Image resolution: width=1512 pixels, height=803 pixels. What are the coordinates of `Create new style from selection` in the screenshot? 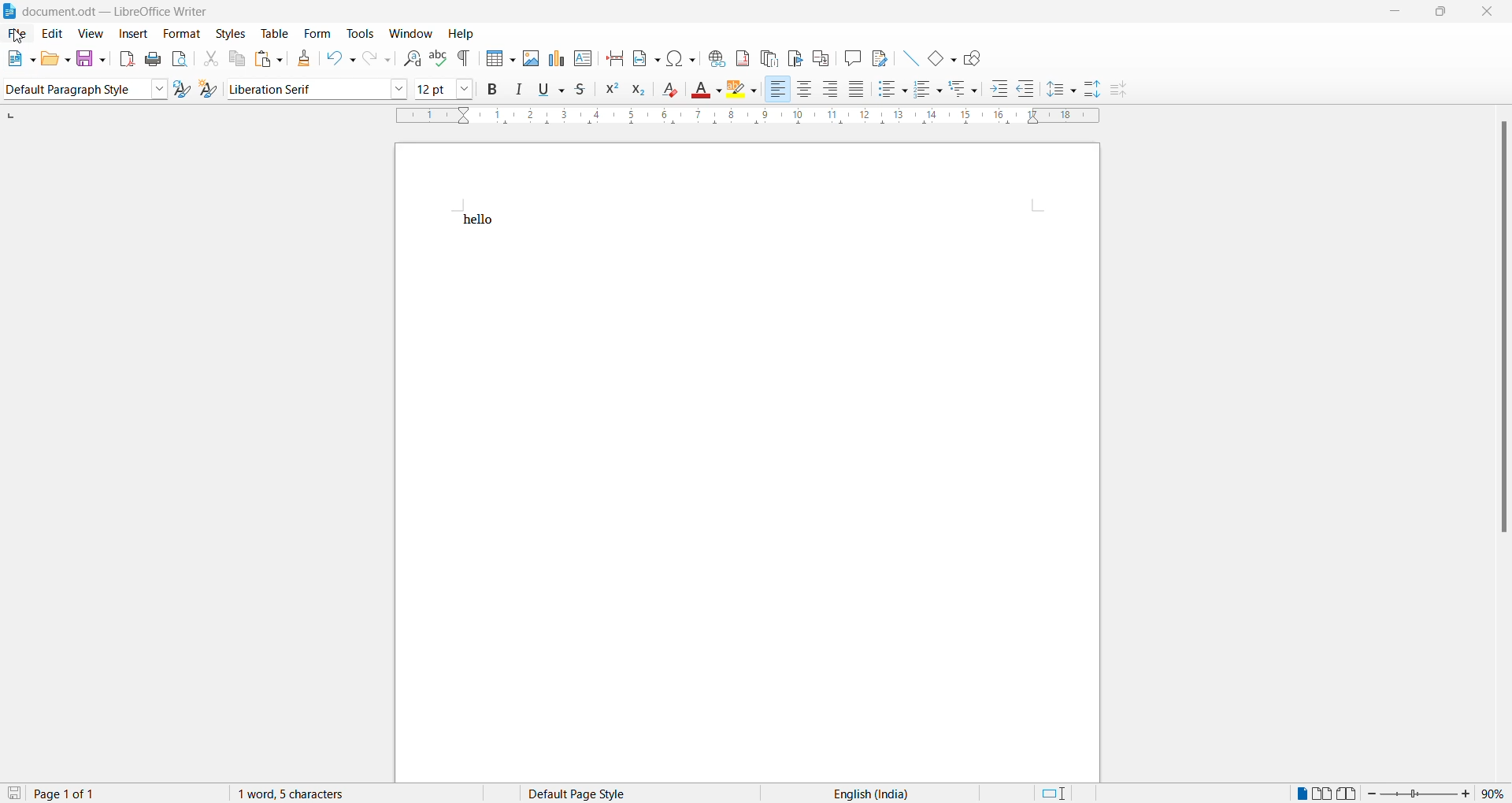 It's located at (211, 89).